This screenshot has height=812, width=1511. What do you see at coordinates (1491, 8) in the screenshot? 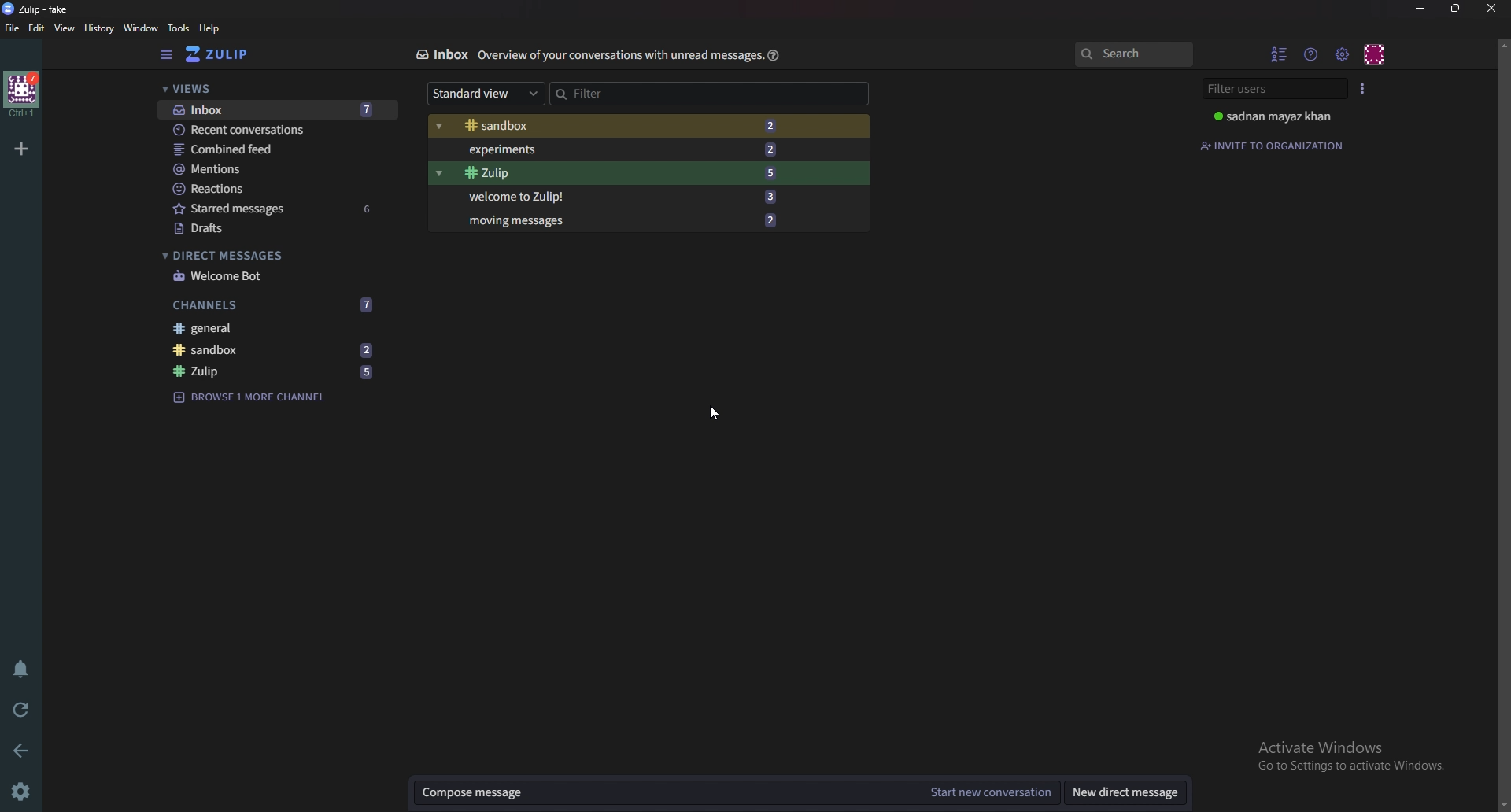
I see `close` at bounding box center [1491, 8].